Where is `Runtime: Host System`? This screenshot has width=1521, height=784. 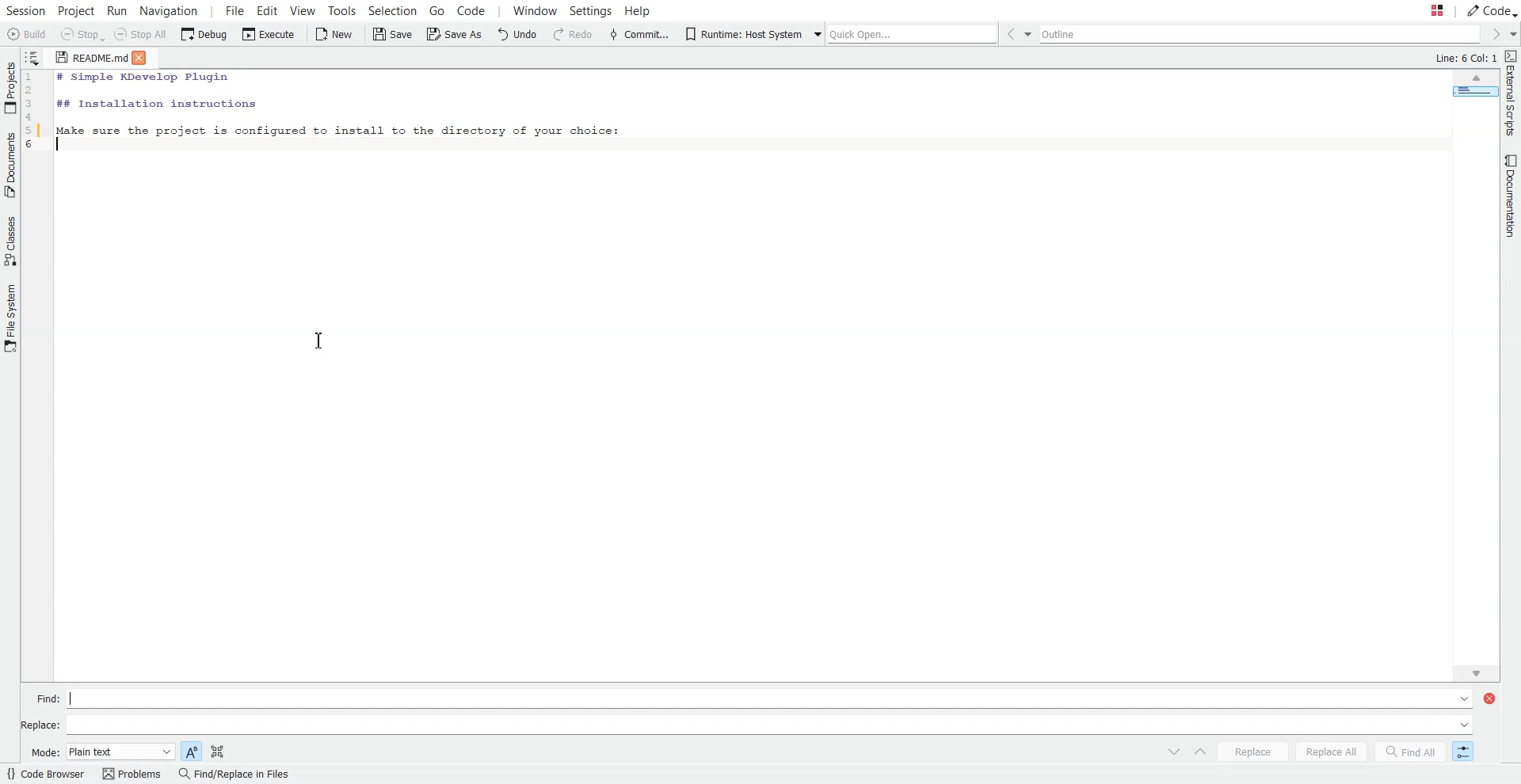
Runtime: Host System is located at coordinates (742, 34).